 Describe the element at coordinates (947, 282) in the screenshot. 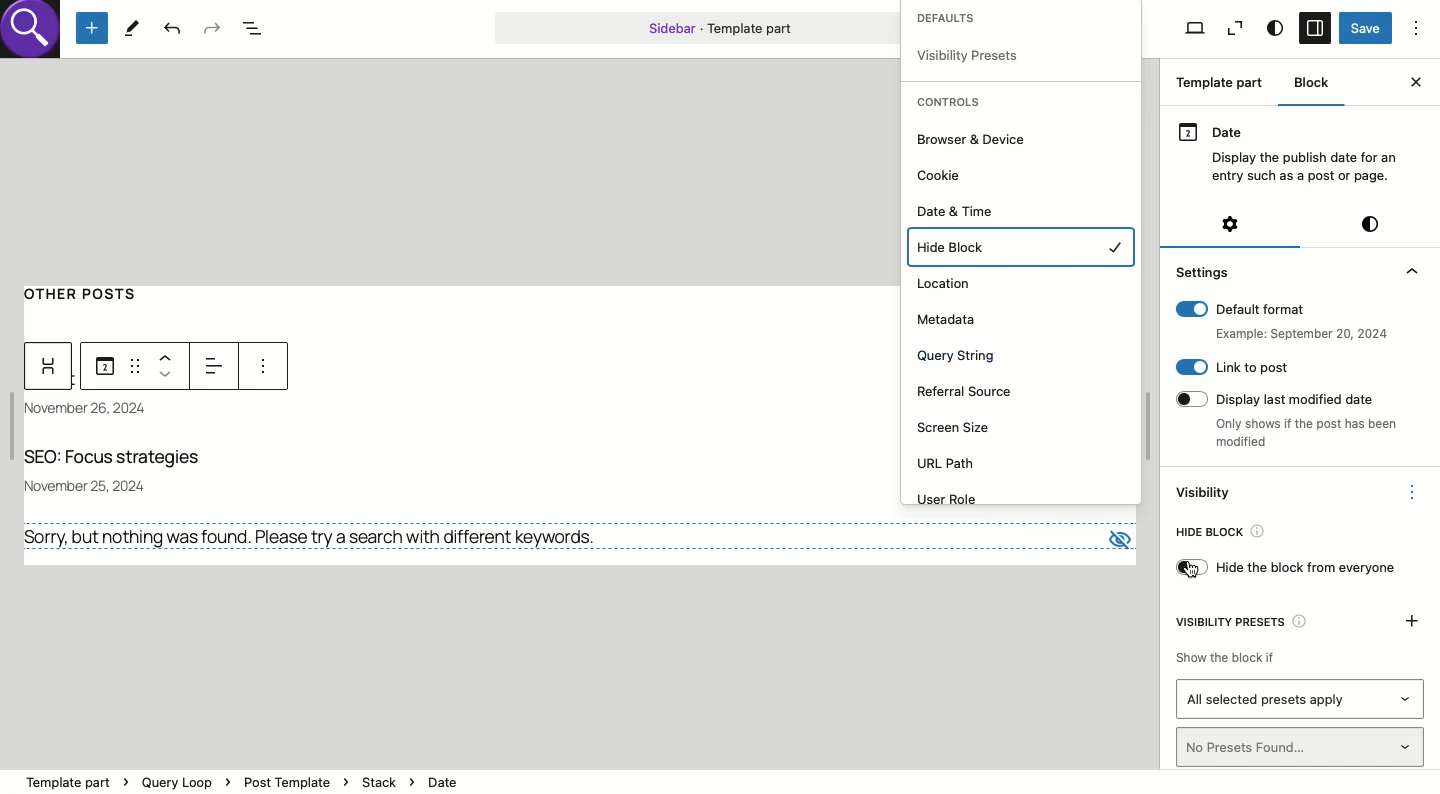

I see `Location` at that location.